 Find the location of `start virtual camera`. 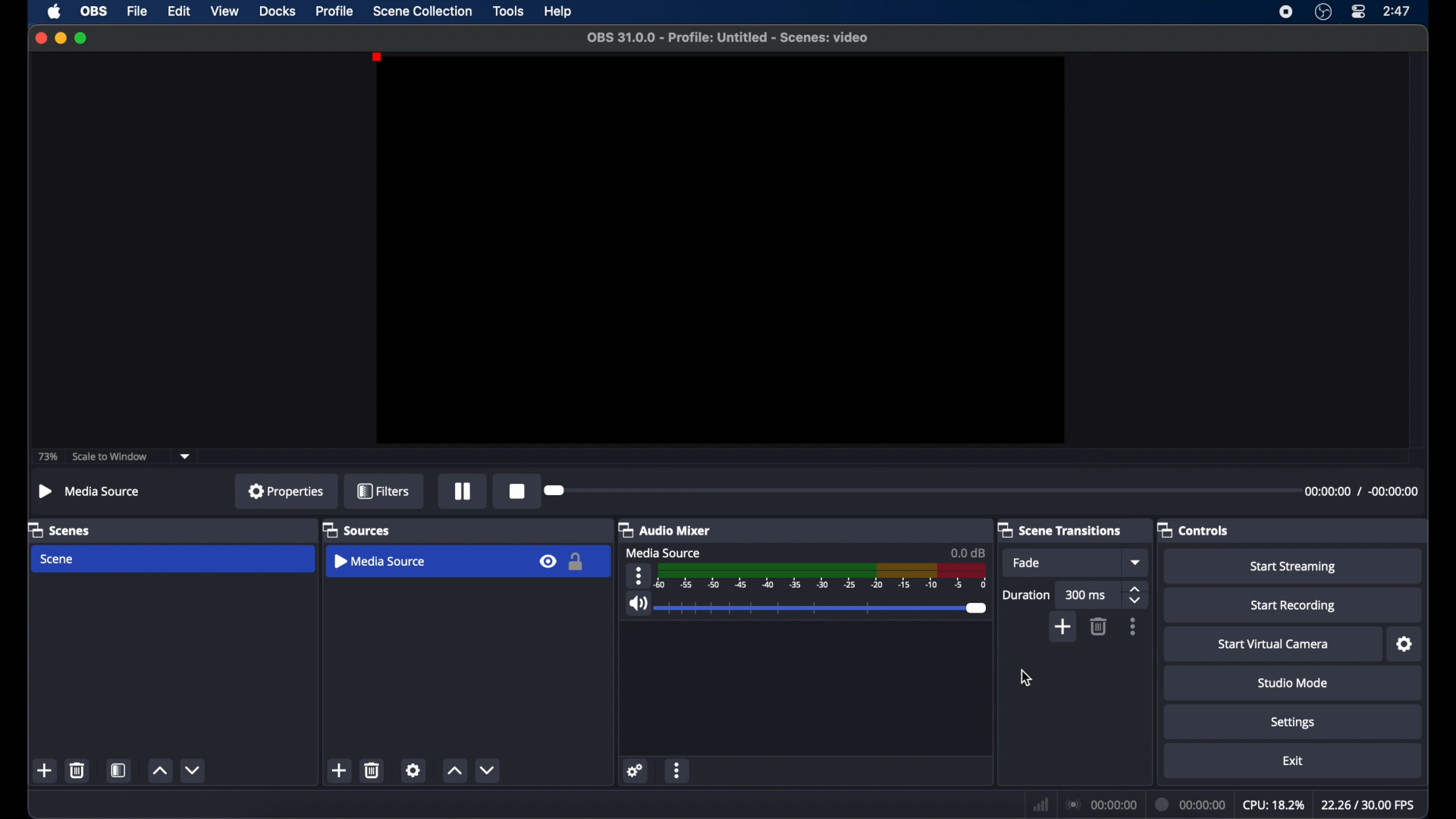

start virtual camera is located at coordinates (1274, 645).